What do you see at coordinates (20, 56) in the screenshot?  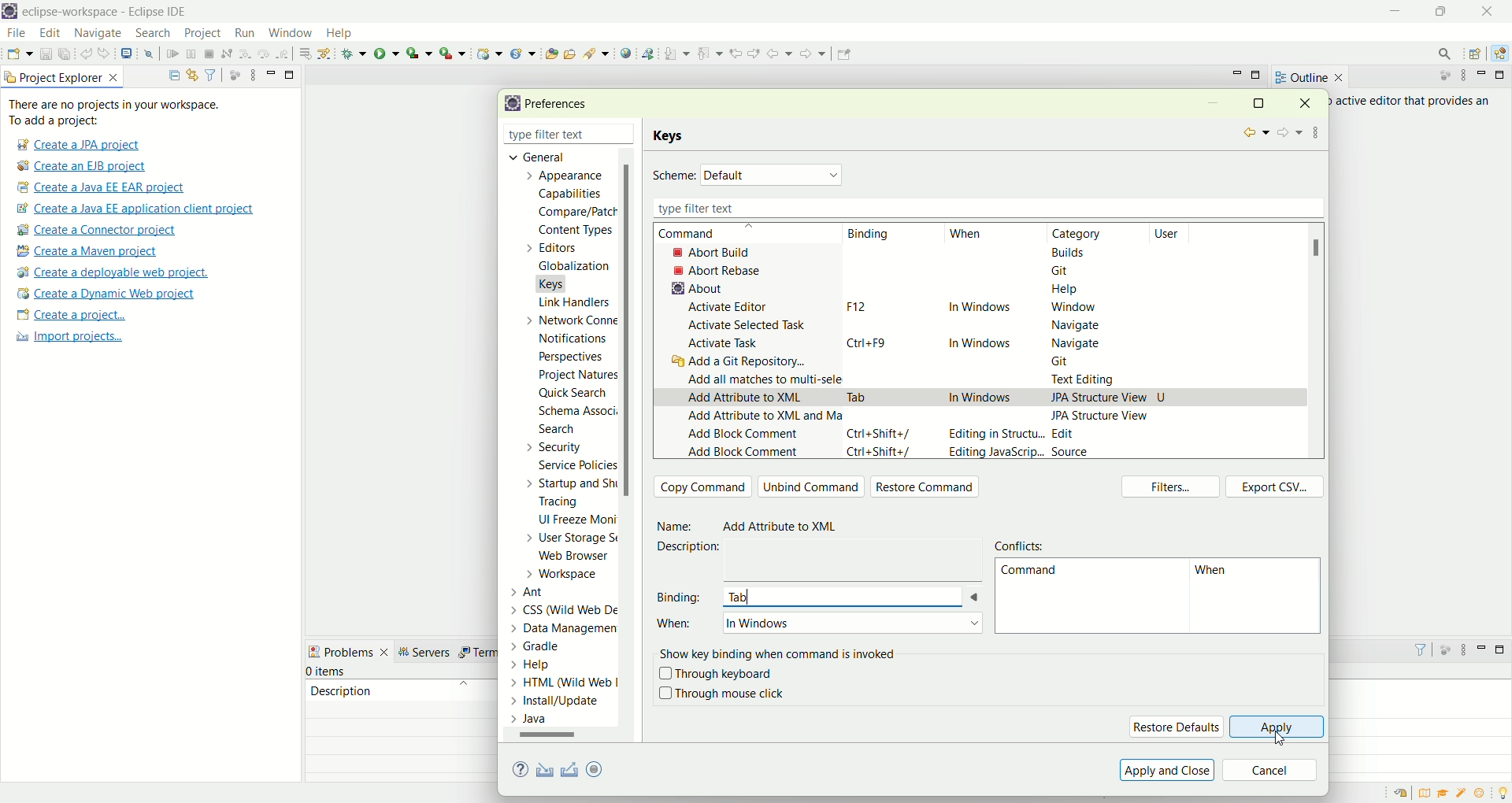 I see `open` at bounding box center [20, 56].